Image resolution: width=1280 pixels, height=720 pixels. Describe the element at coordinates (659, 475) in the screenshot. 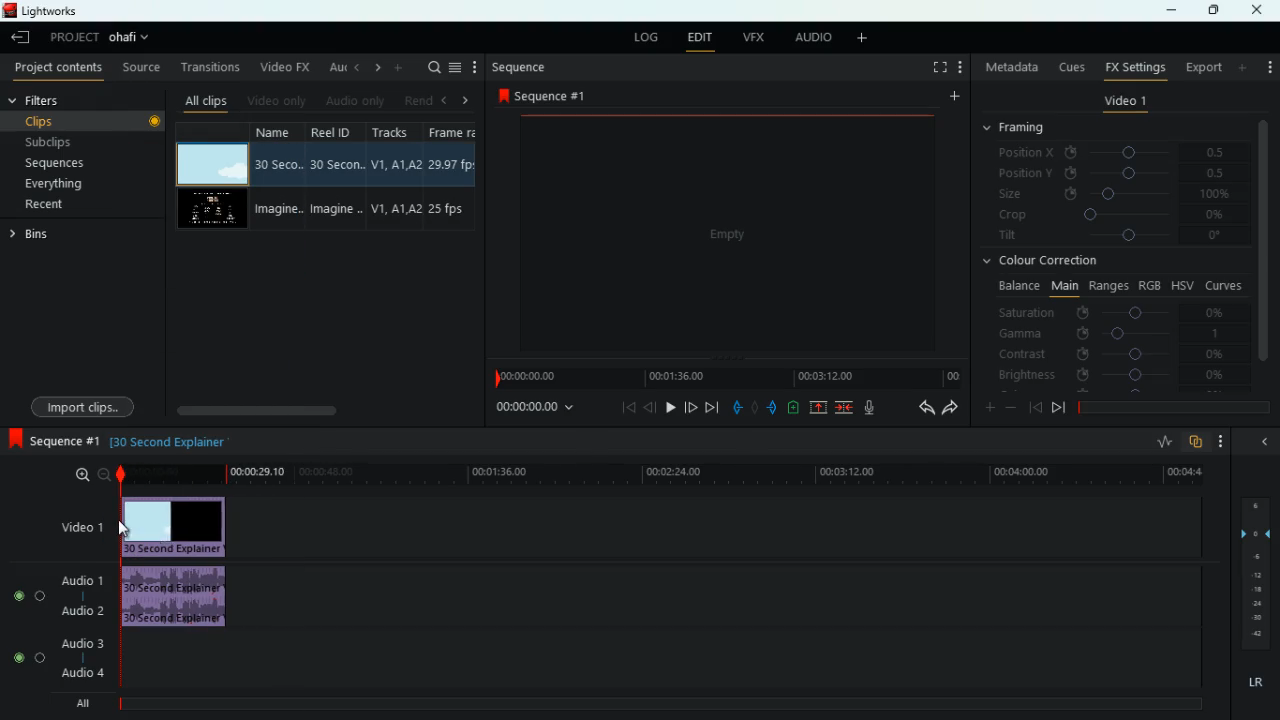

I see `time` at that location.